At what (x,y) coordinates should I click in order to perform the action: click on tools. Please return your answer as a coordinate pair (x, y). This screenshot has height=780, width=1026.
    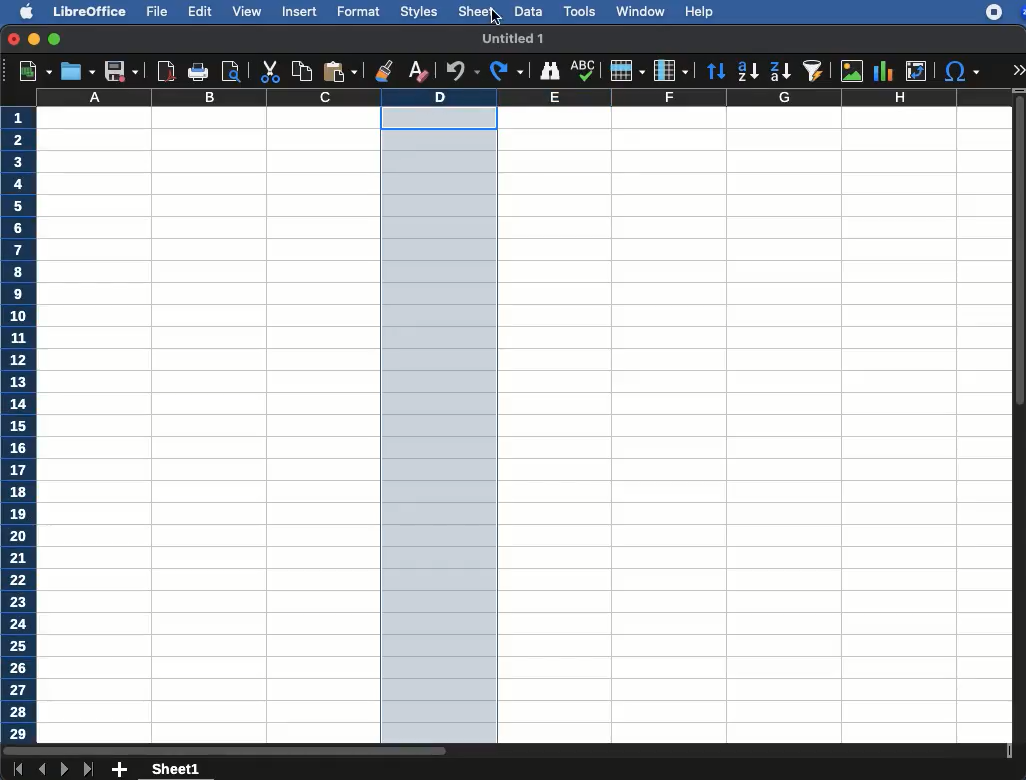
    Looking at the image, I should click on (578, 10).